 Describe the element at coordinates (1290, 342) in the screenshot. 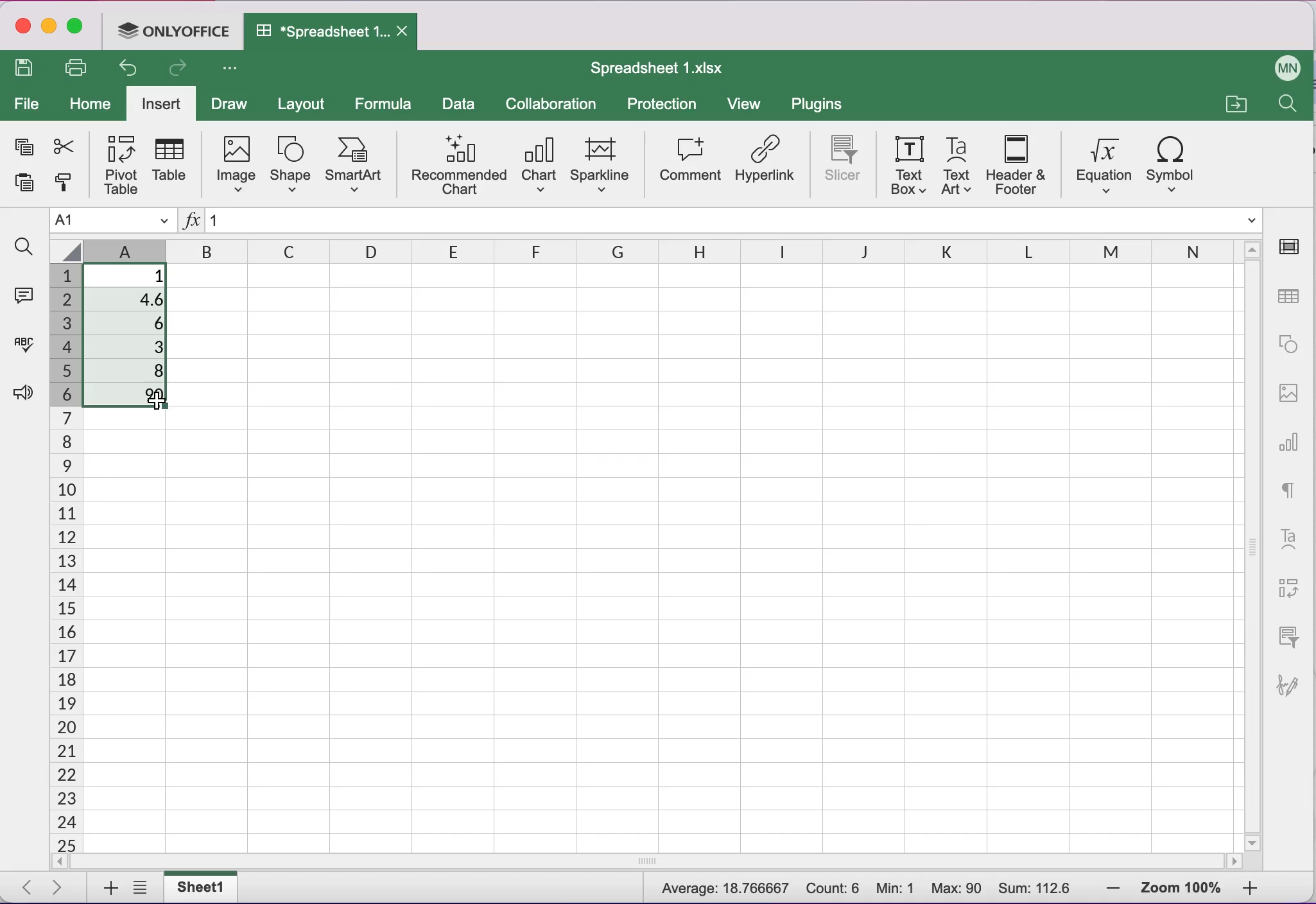

I see `shape` at that location.